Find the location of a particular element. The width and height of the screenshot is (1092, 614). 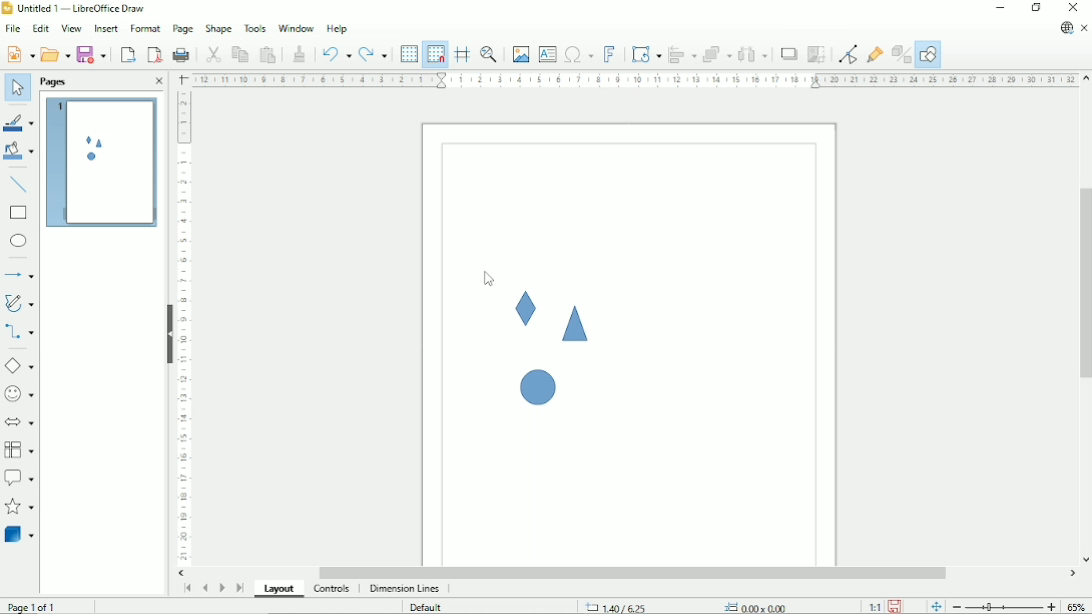

Flow chart is located at coordinates (19, 450).